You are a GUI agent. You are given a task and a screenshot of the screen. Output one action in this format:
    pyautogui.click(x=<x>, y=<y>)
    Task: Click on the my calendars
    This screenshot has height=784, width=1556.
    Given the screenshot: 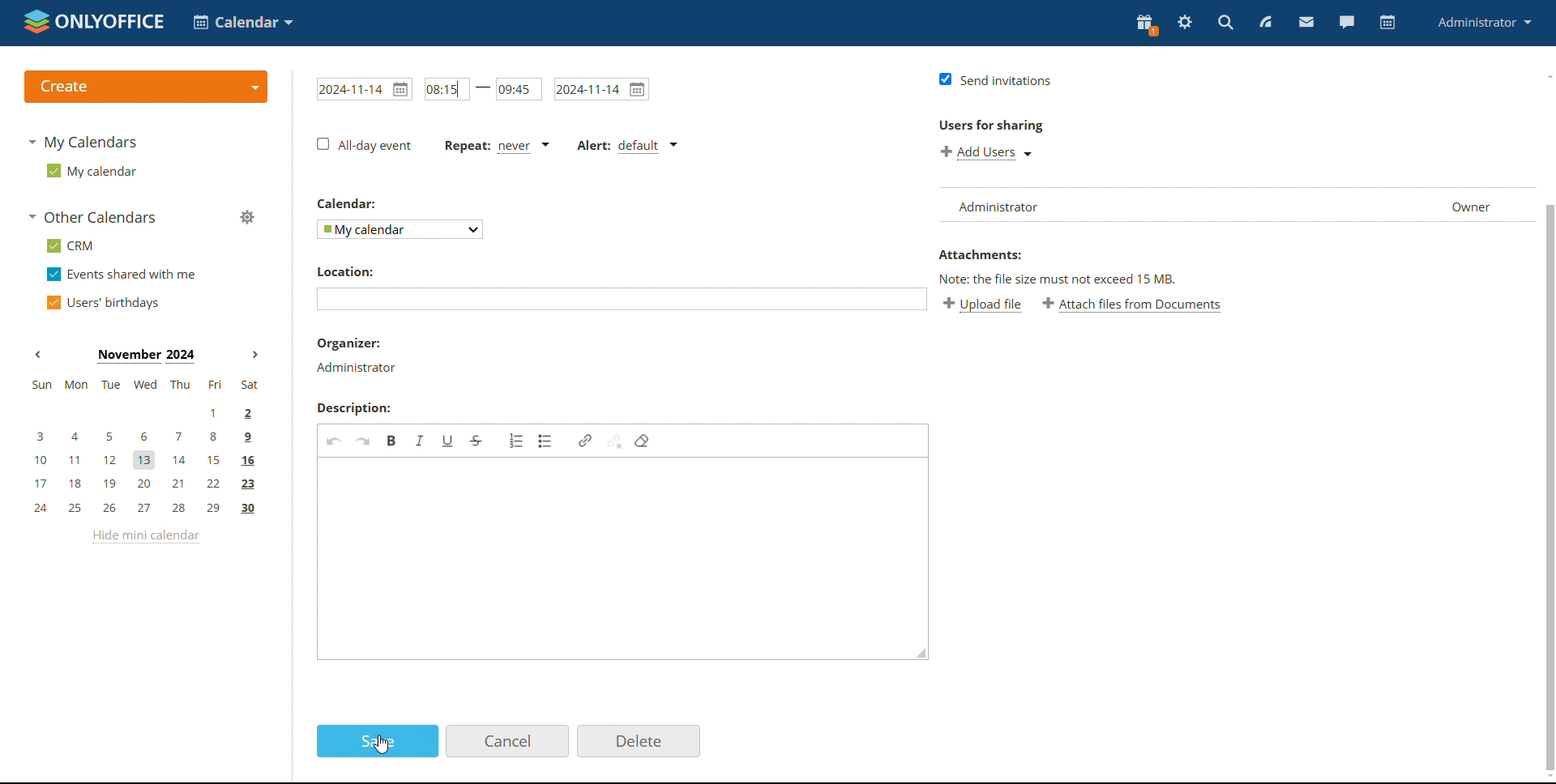 What is the action you would take?
    pyautogui.click(x=86, y=143)
    